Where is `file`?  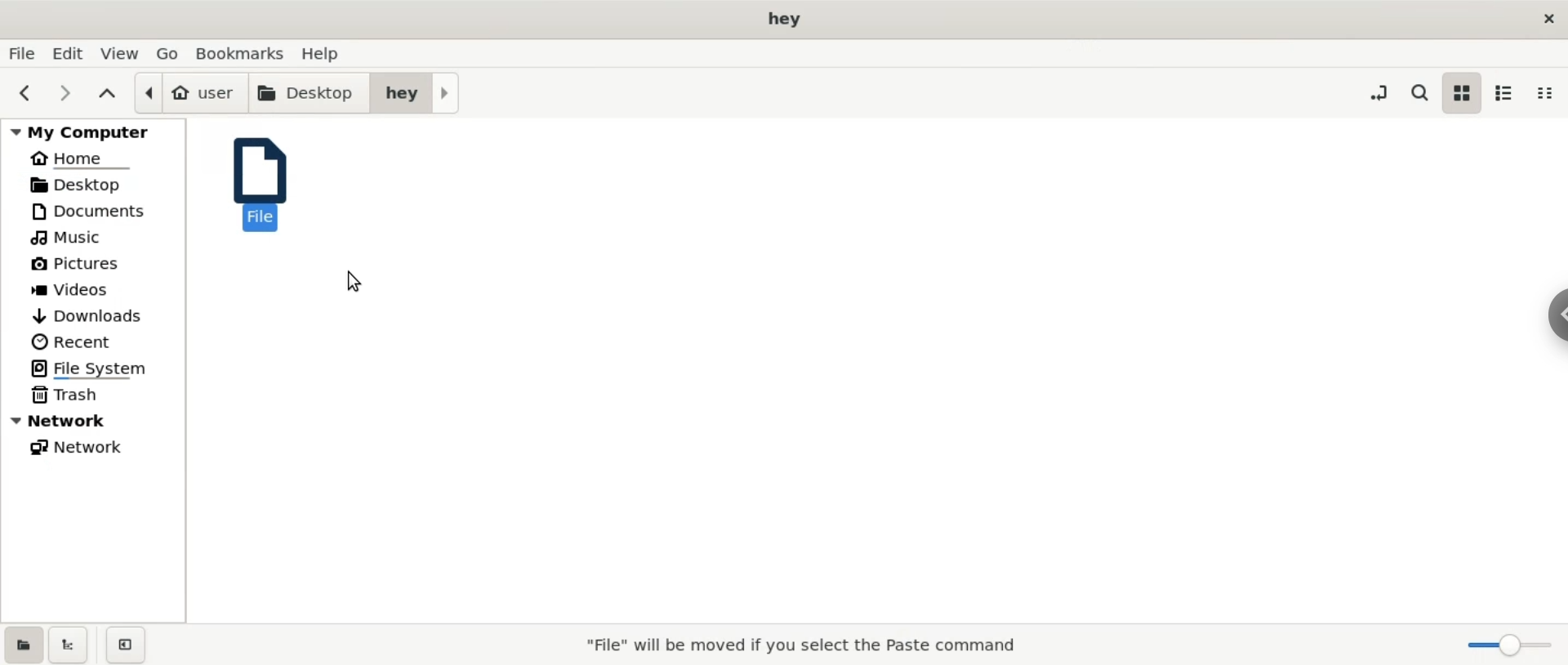
file is located at coordinates (258, 188).